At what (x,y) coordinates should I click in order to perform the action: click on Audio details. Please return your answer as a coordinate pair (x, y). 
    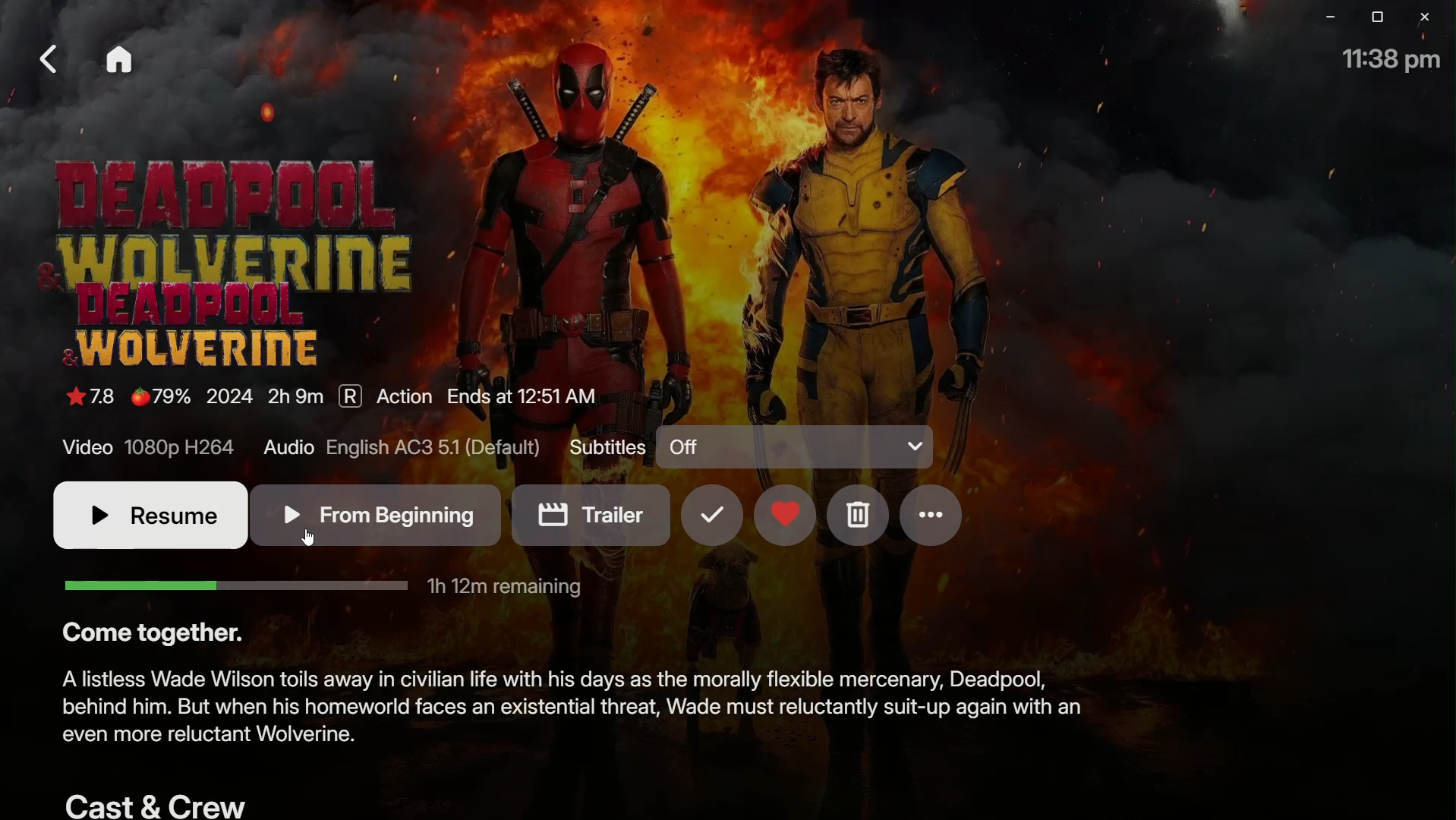
    Looking at the image, I should click on (408, 447).